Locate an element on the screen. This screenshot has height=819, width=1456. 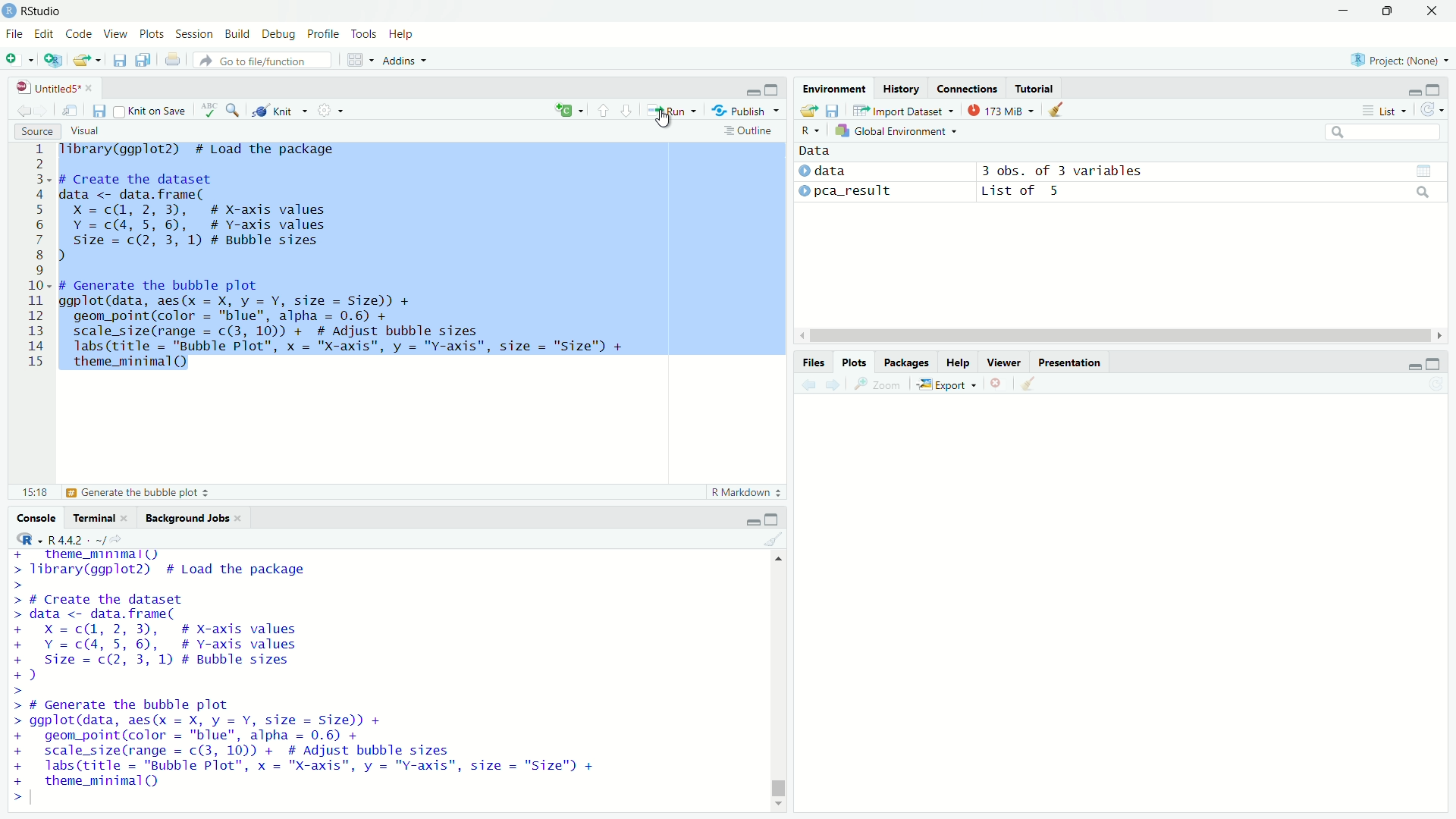
minimize is located at coordinates (1342, 11).